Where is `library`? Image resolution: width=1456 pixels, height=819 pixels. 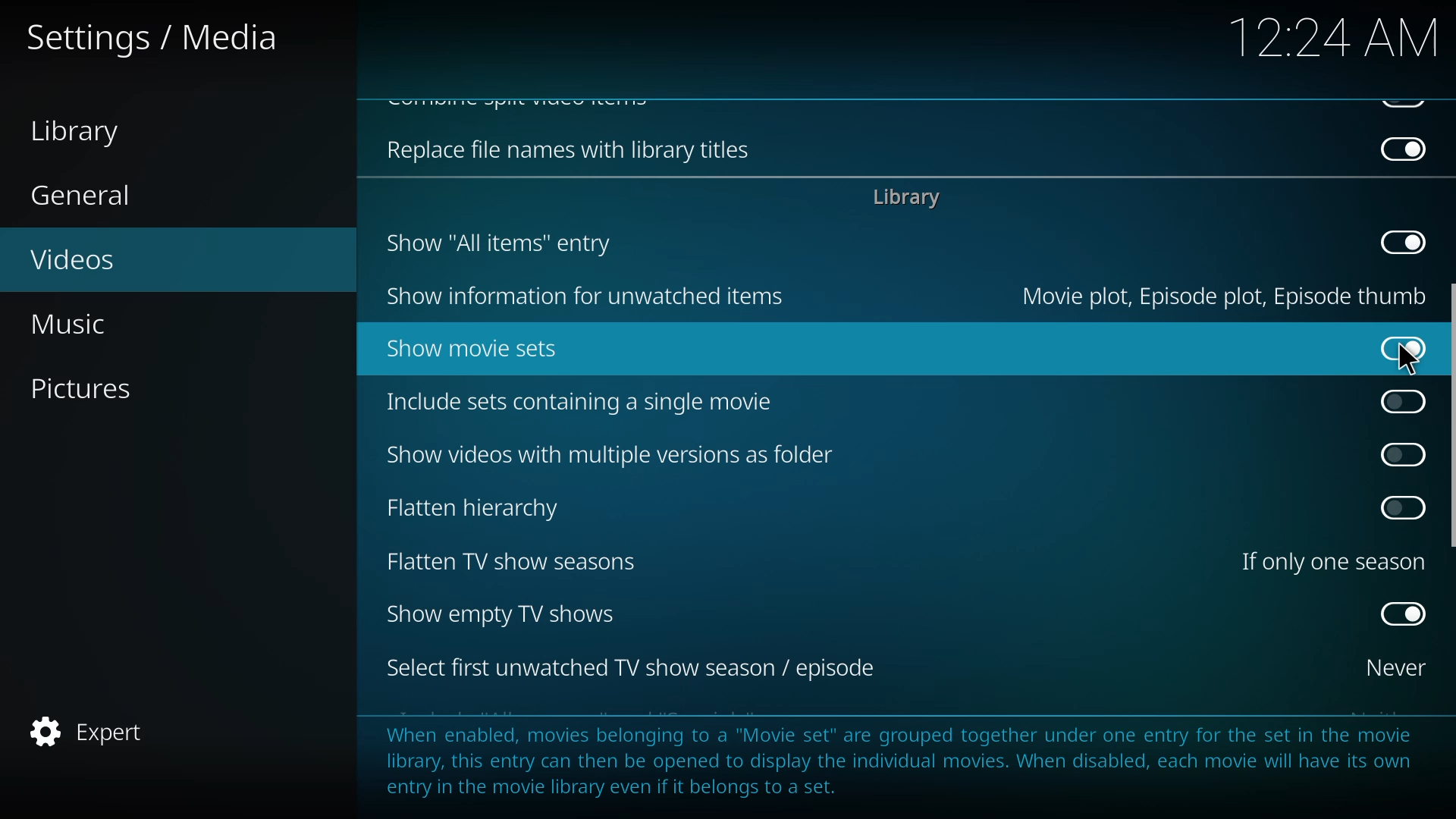 library is located at coordinates (89, 132).